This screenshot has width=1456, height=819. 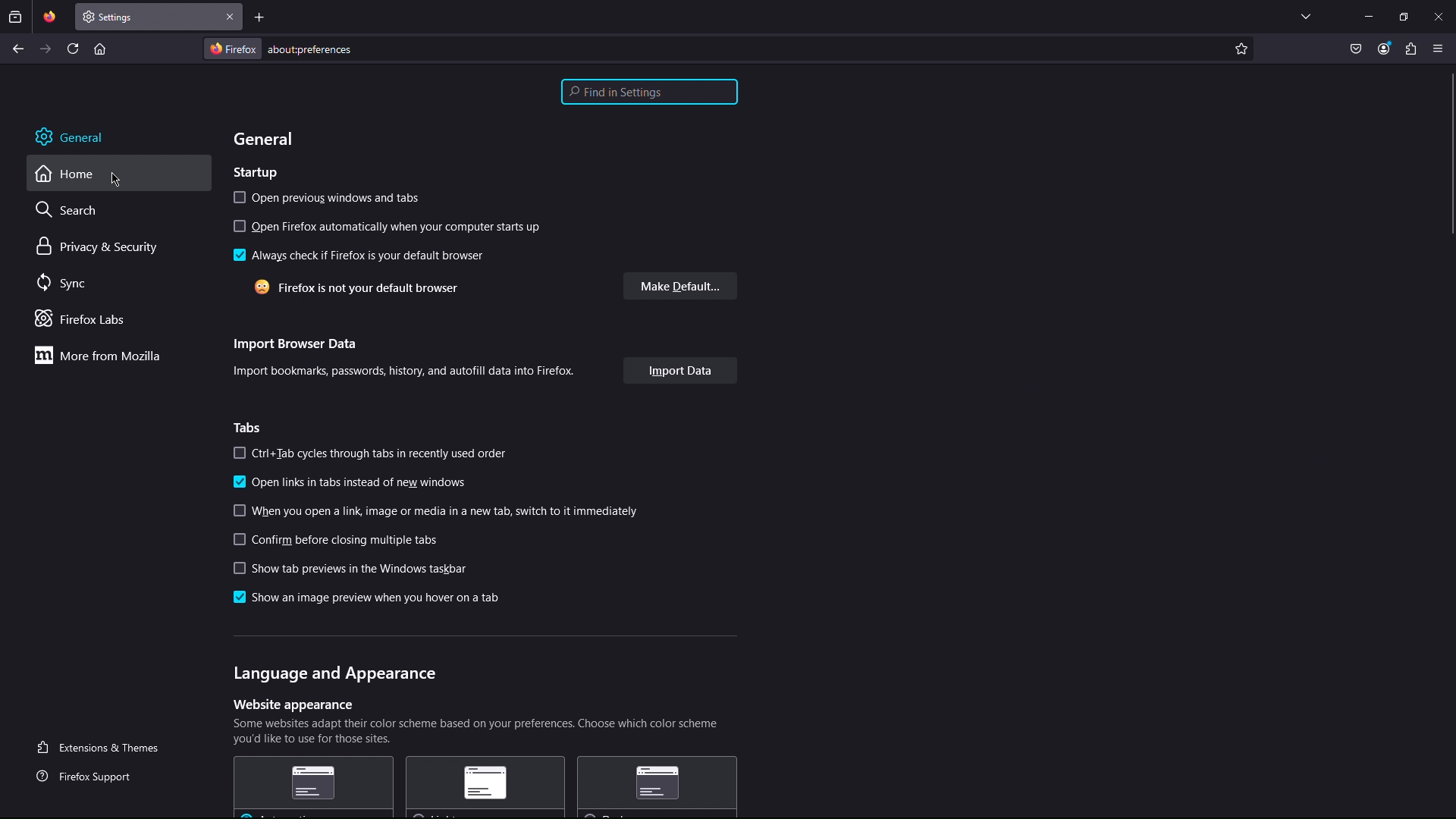 I want to click on Vertical slide bar, so click(x=1452, y=154).